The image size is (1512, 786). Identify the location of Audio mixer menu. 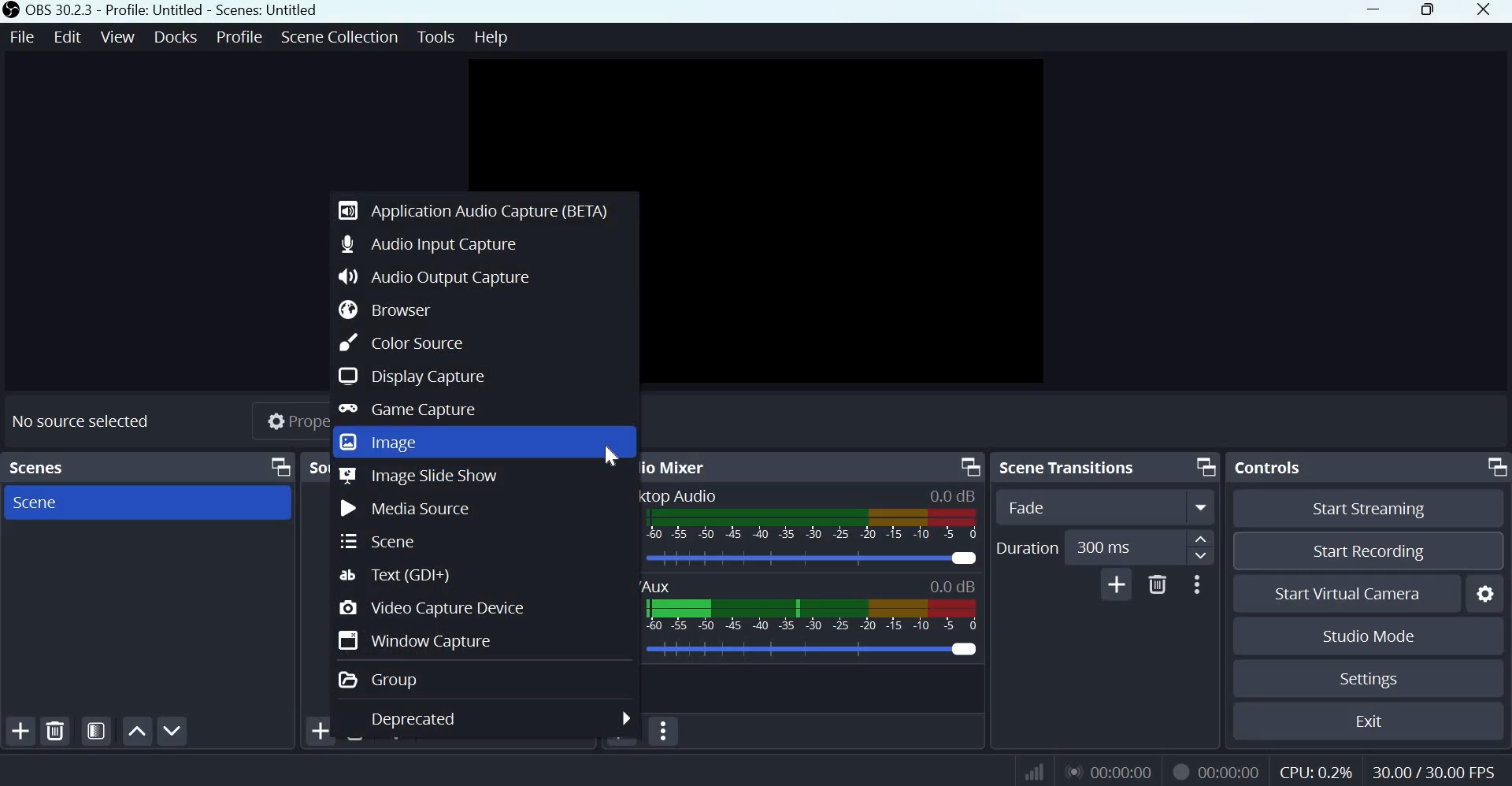
(674, 730).